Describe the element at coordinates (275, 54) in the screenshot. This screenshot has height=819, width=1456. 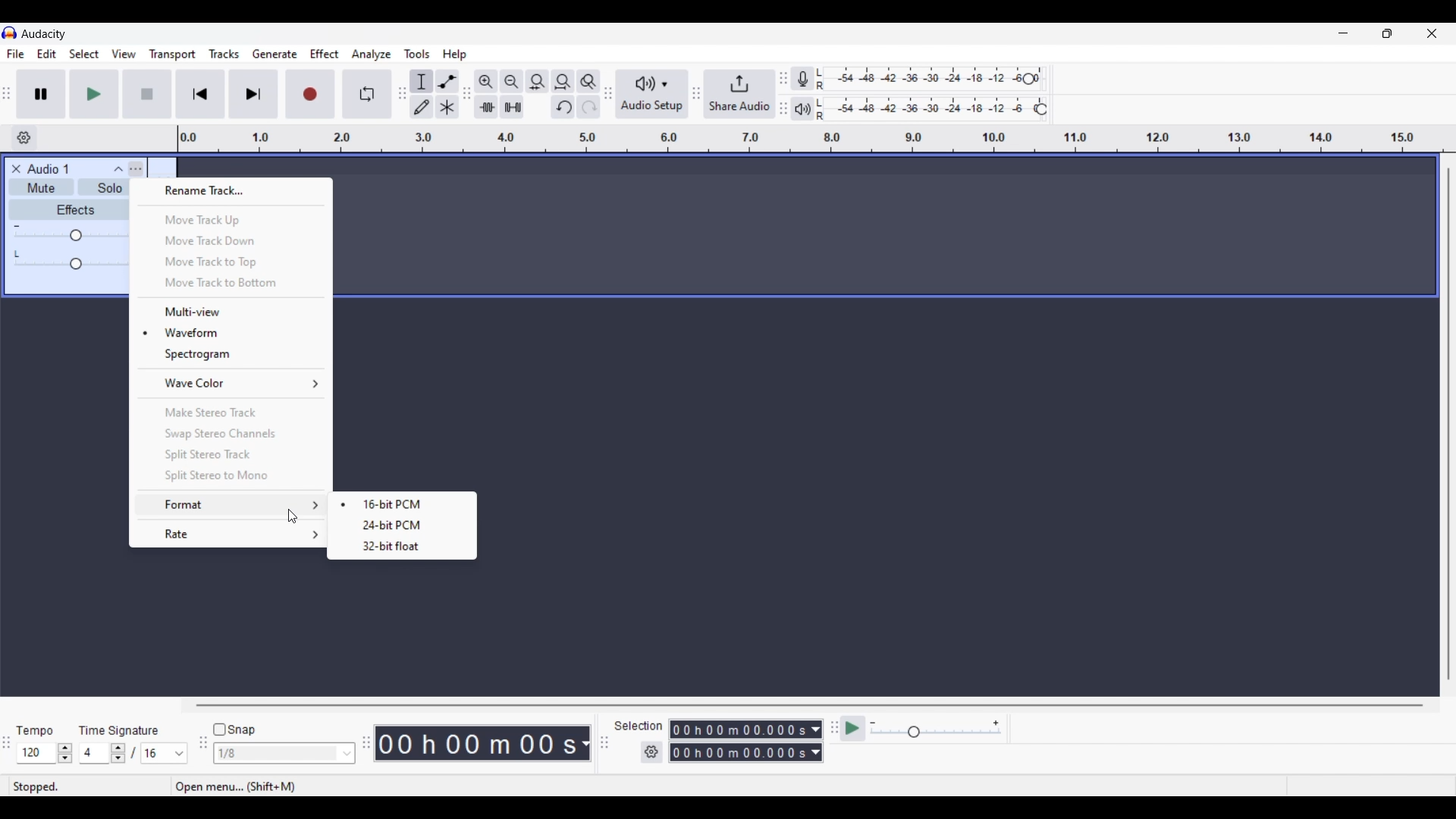
I see `Generate menu` at that location.